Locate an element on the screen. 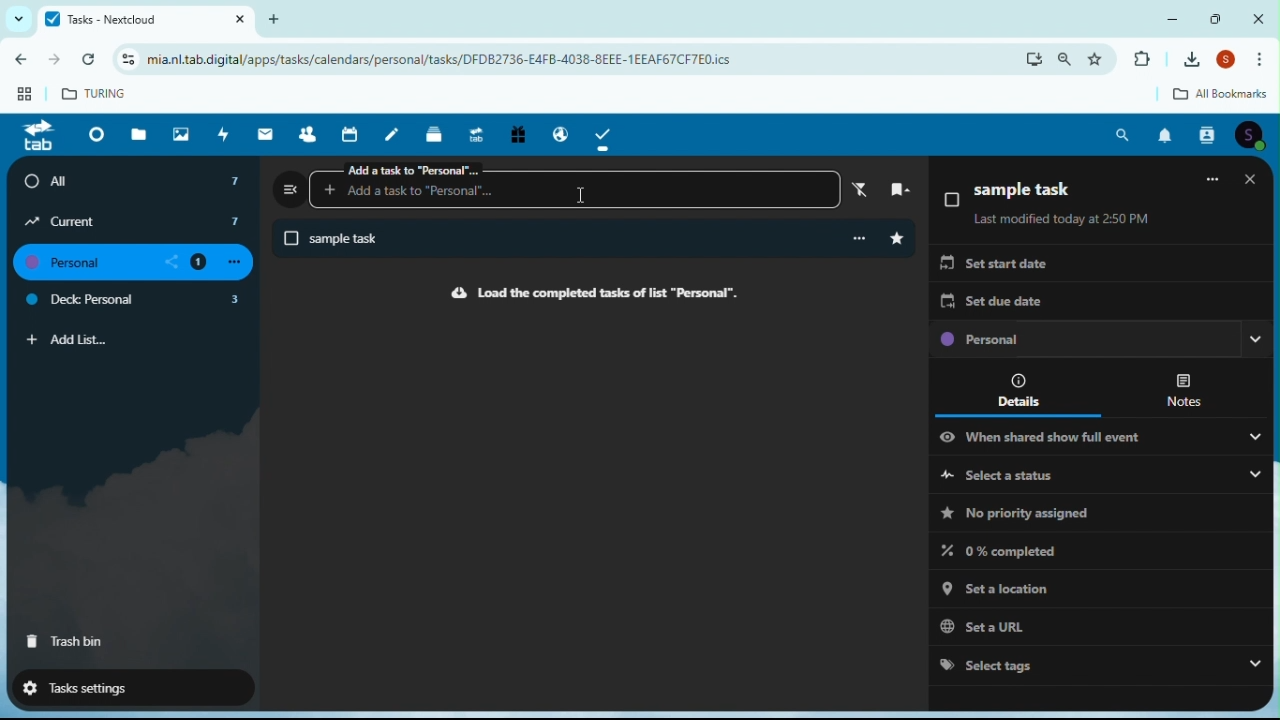 The width and height of the screenshot is (1280, 720). Close navigation is located at coordinates (290, 188).